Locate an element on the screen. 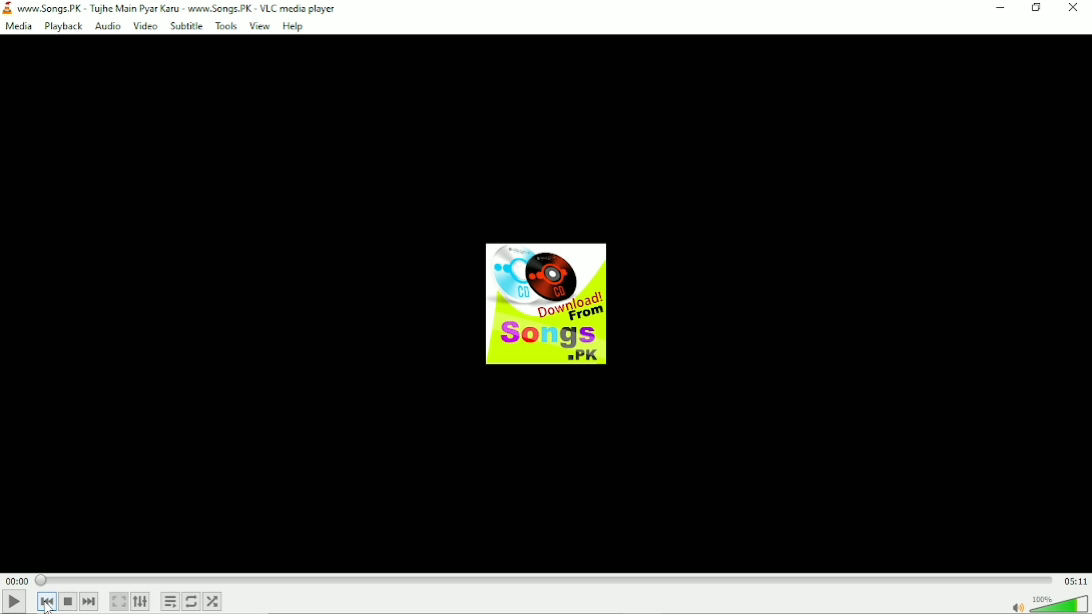  logo is located at coordinates (7, 8).